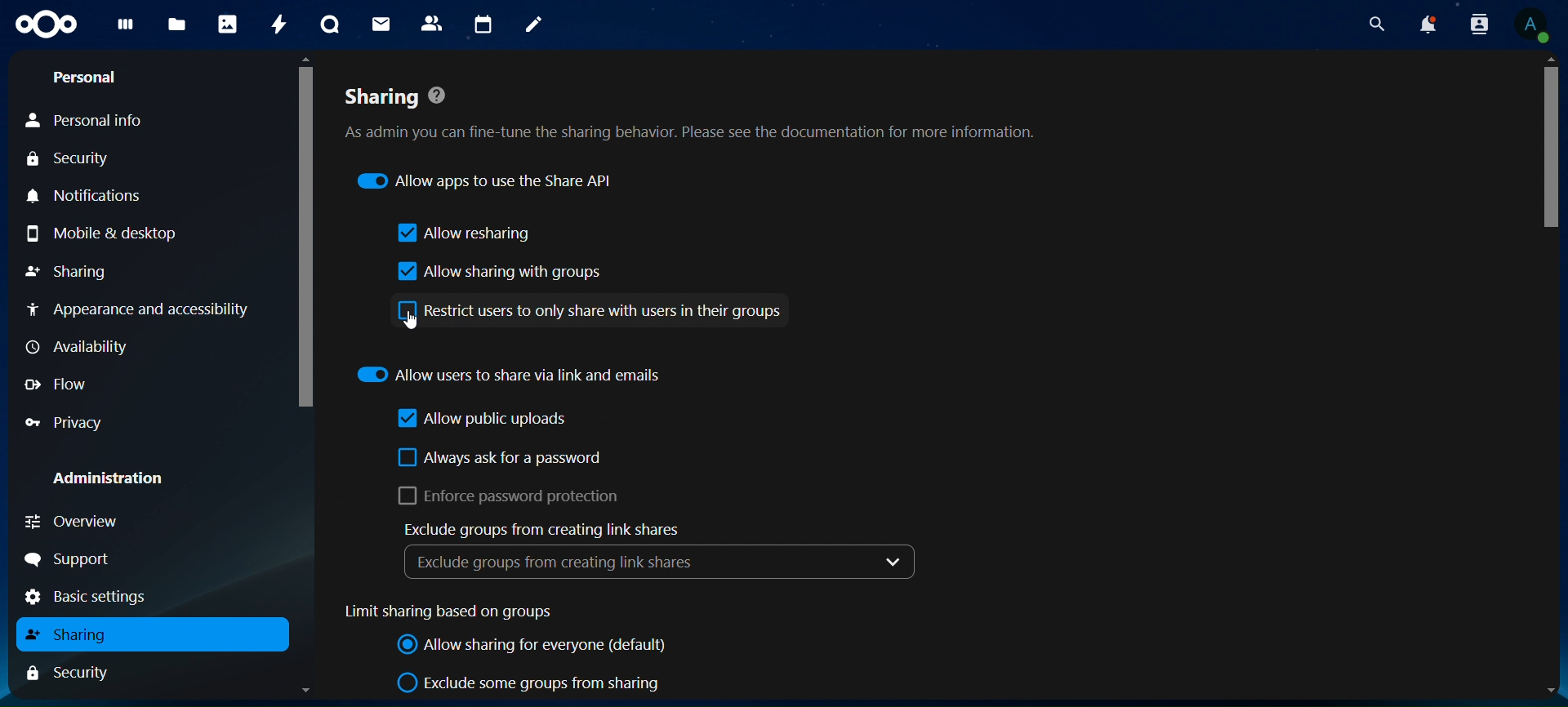  I want to click on basic settings, so click(88, 598).